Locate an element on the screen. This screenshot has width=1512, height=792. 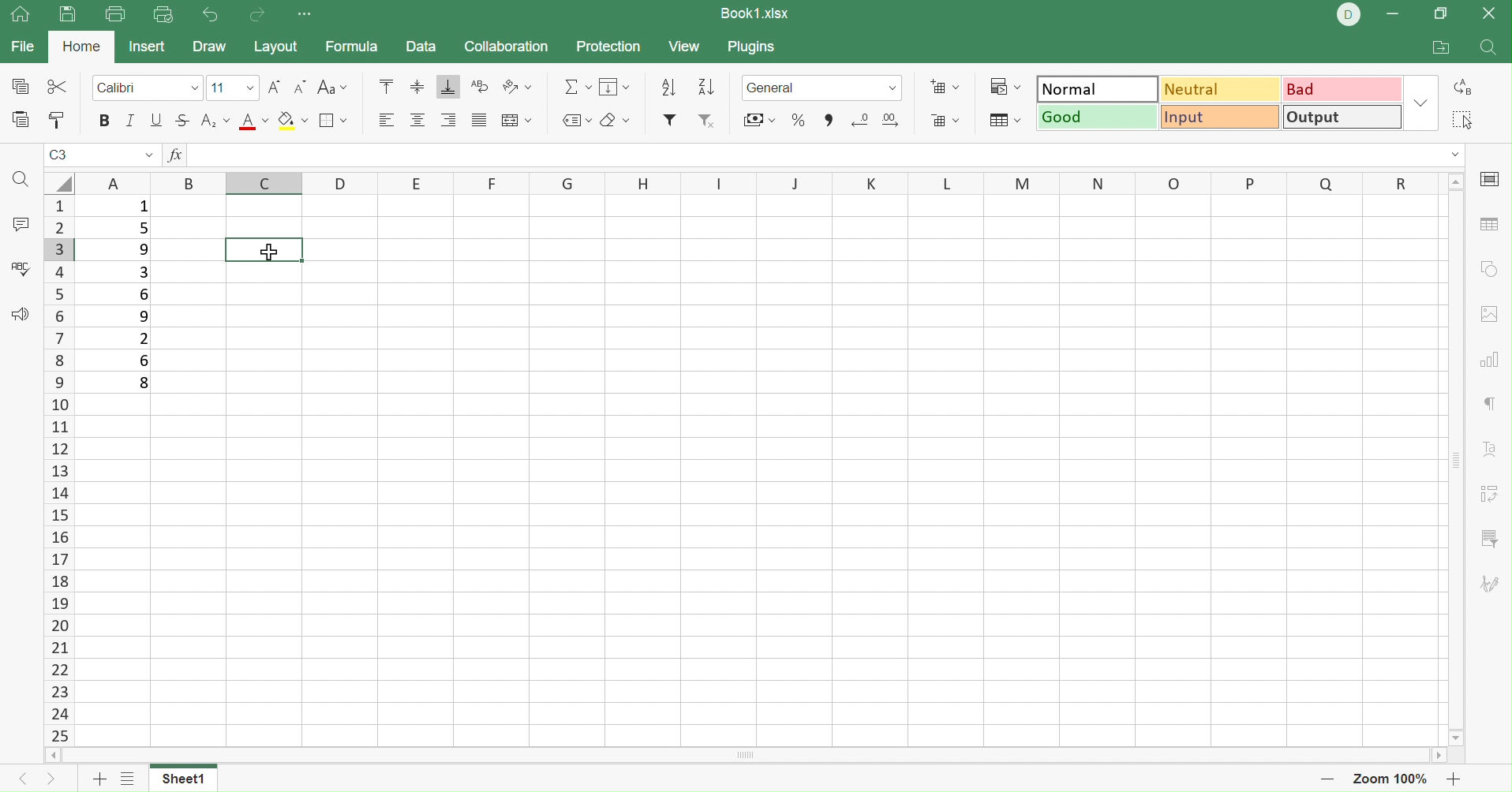
Zoom 100% is located at coordinates (1394, 779).